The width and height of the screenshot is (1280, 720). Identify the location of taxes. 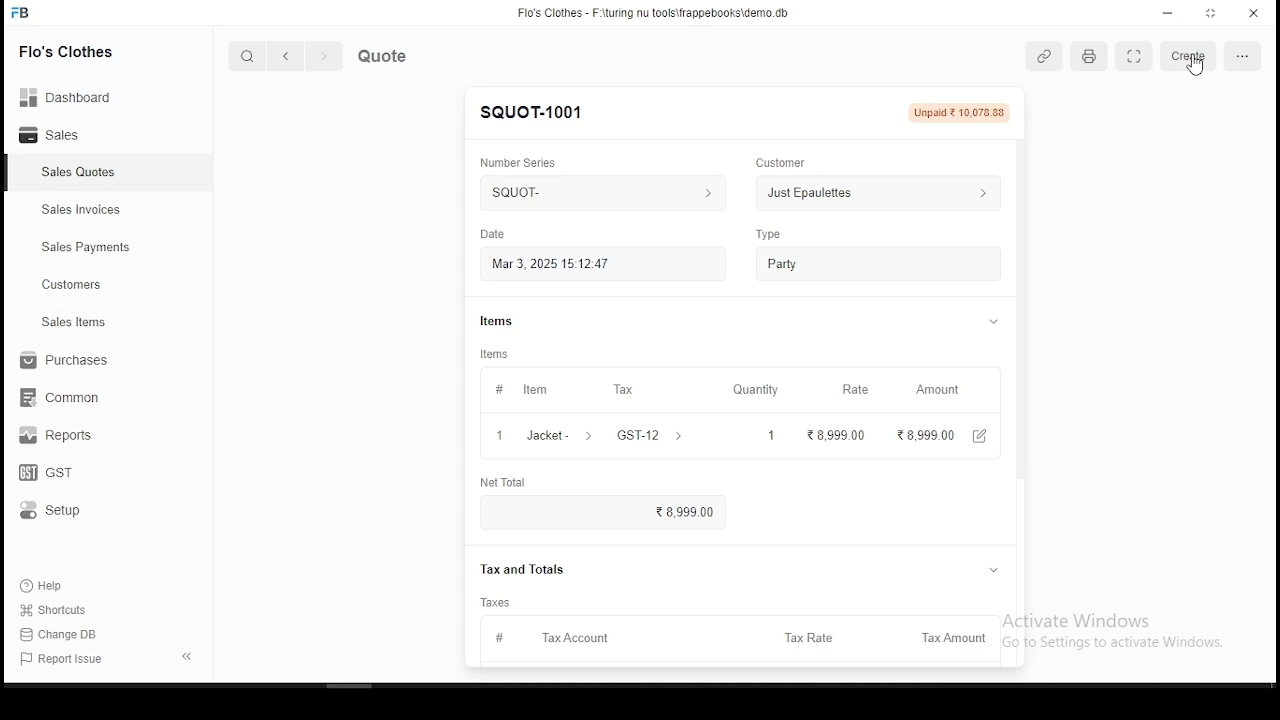
(500, 601).